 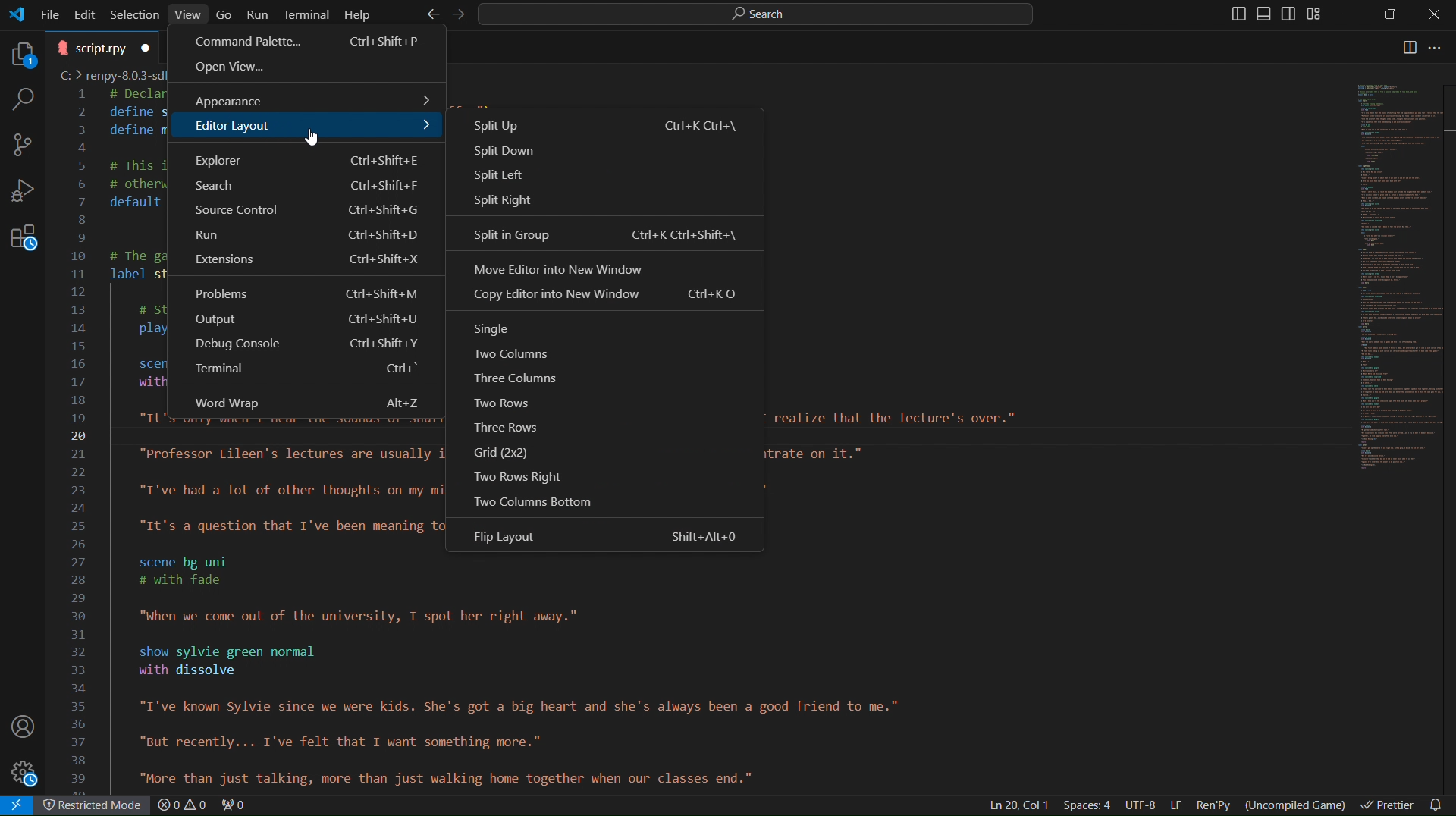 What do you see at coordinates (1266, 14) in the screenshot?
I see `Toggle Panel` at bounding box center [1266, 14].